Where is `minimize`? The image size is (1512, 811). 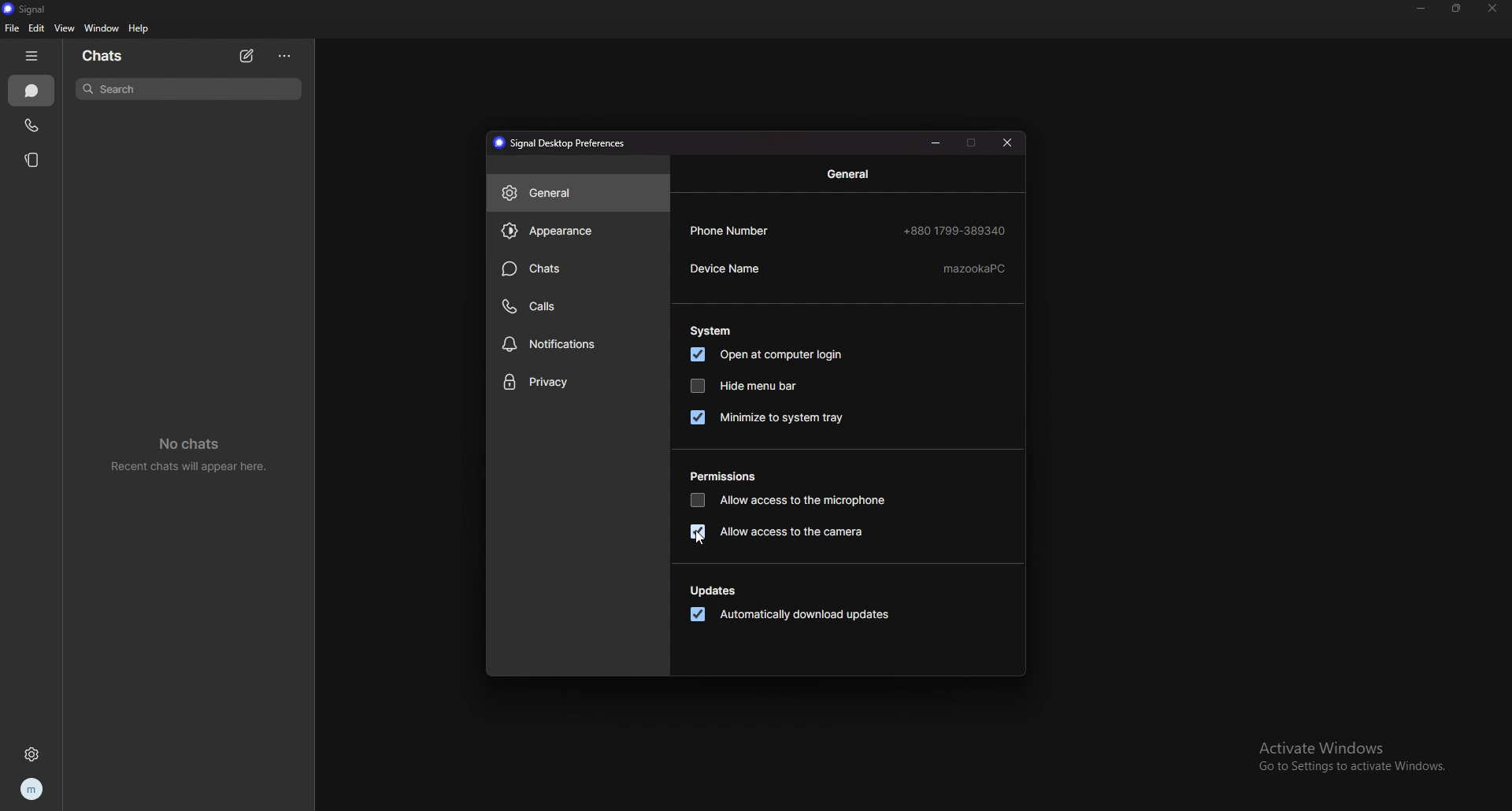 minimize is located at coordinates (1422, 8).